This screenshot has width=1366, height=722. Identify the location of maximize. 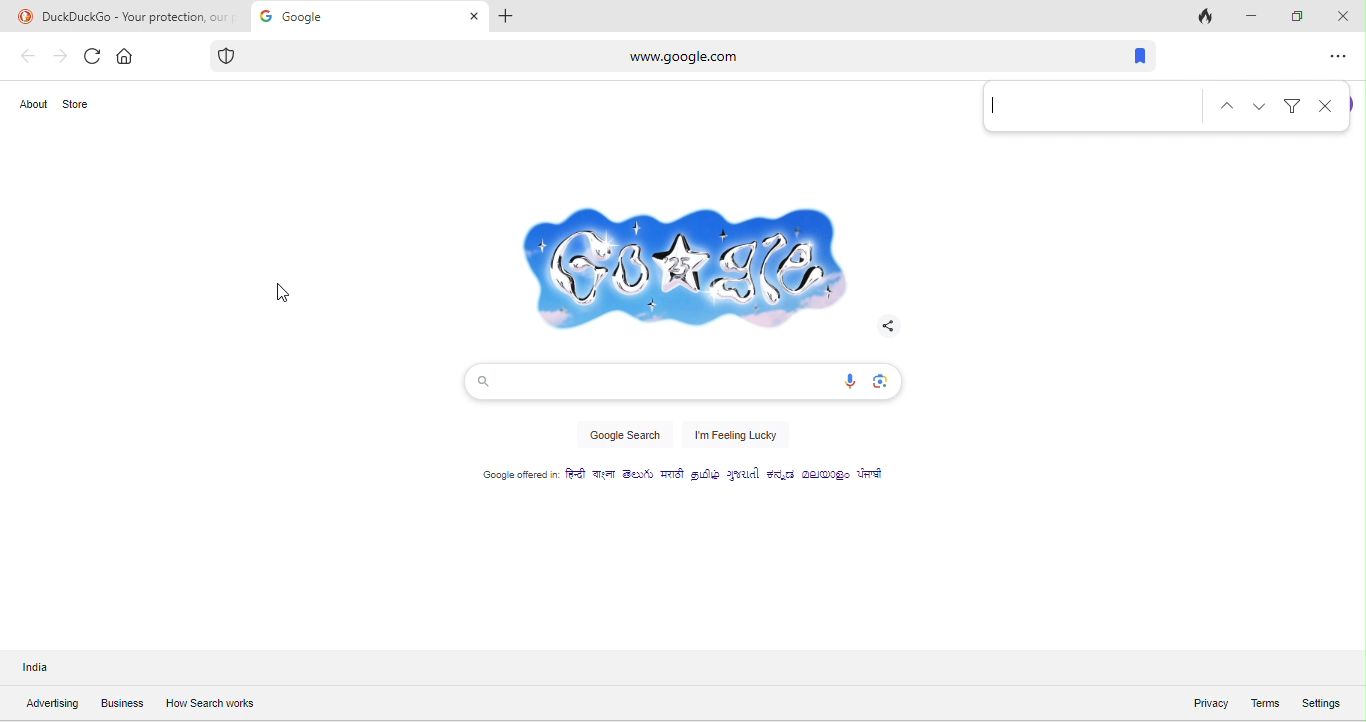
(1295, 15).